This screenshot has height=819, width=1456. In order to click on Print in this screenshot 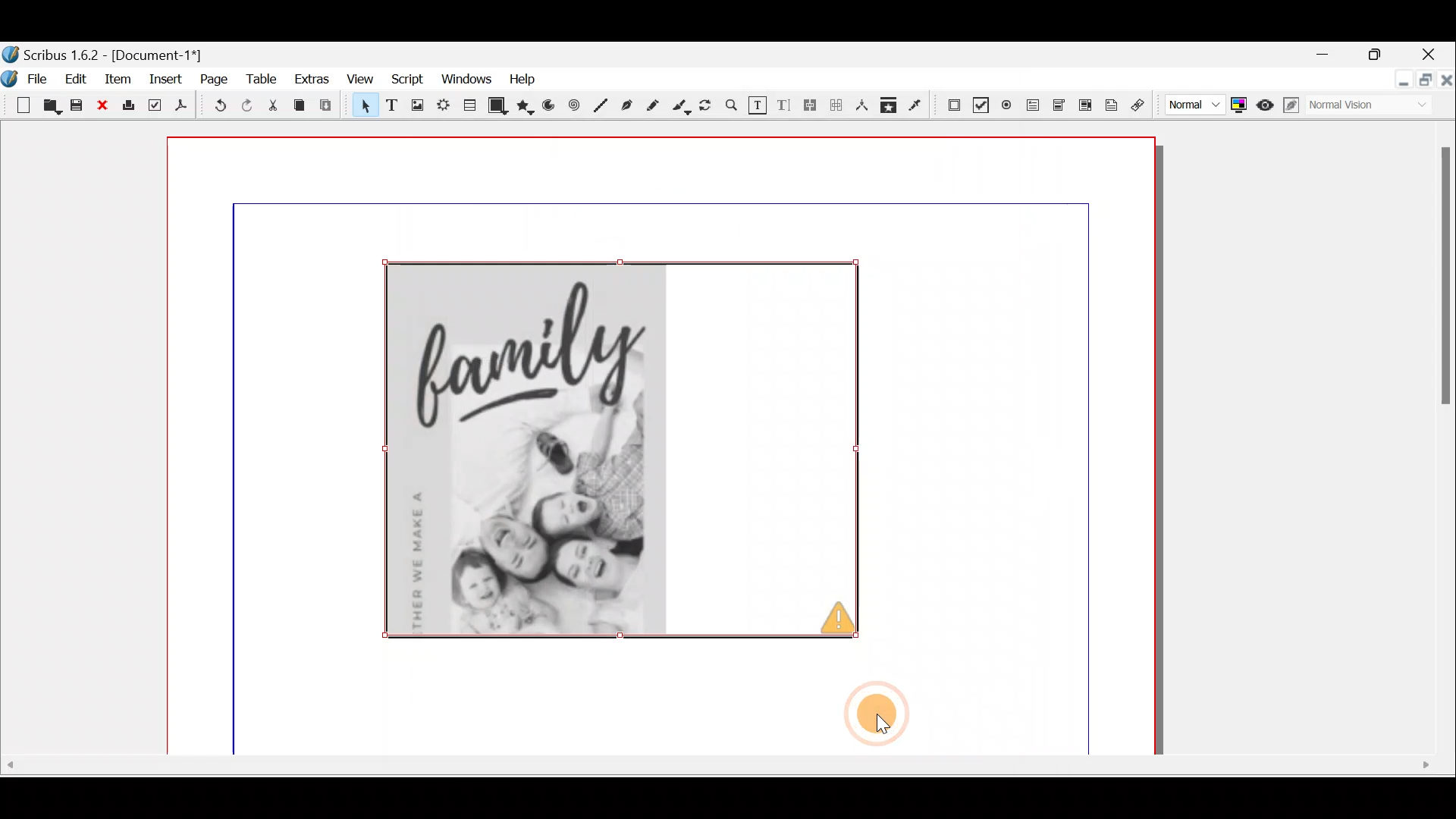, I will do `click(130, 109)`.